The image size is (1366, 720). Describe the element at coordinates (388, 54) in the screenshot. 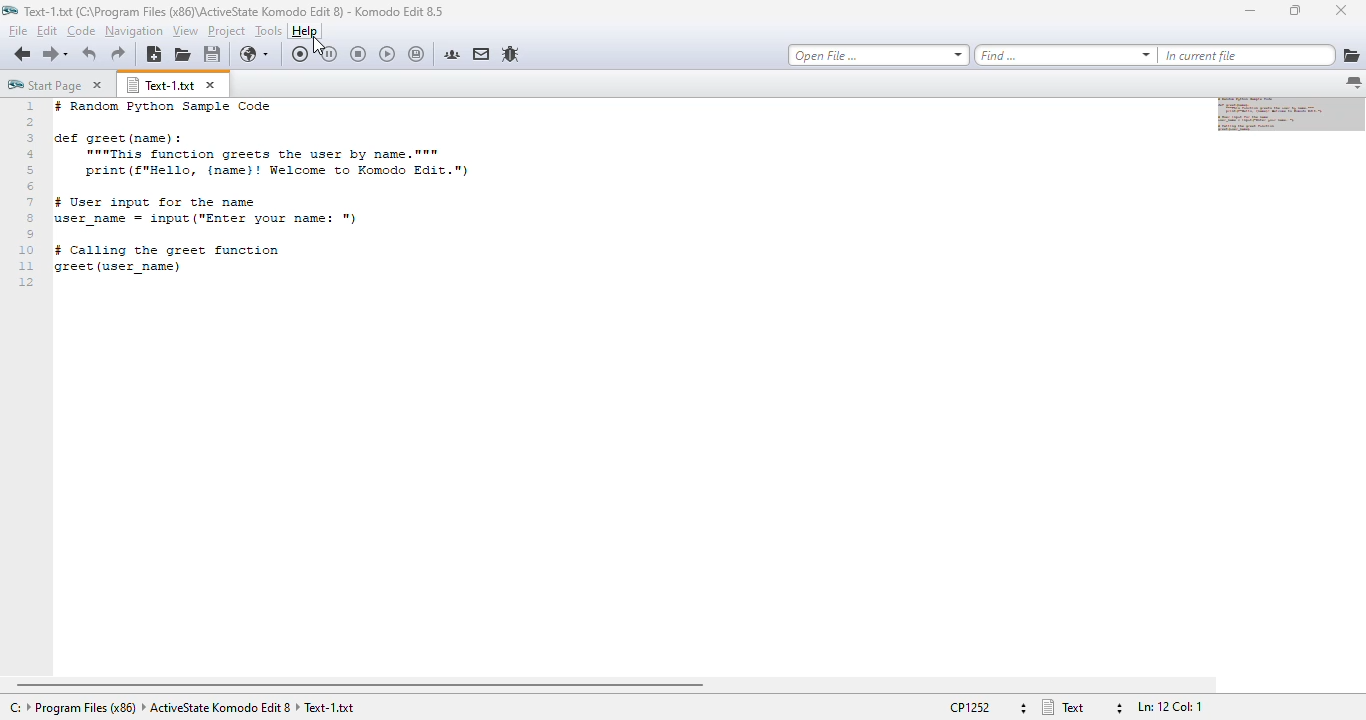

I see `play last macro` at that location.